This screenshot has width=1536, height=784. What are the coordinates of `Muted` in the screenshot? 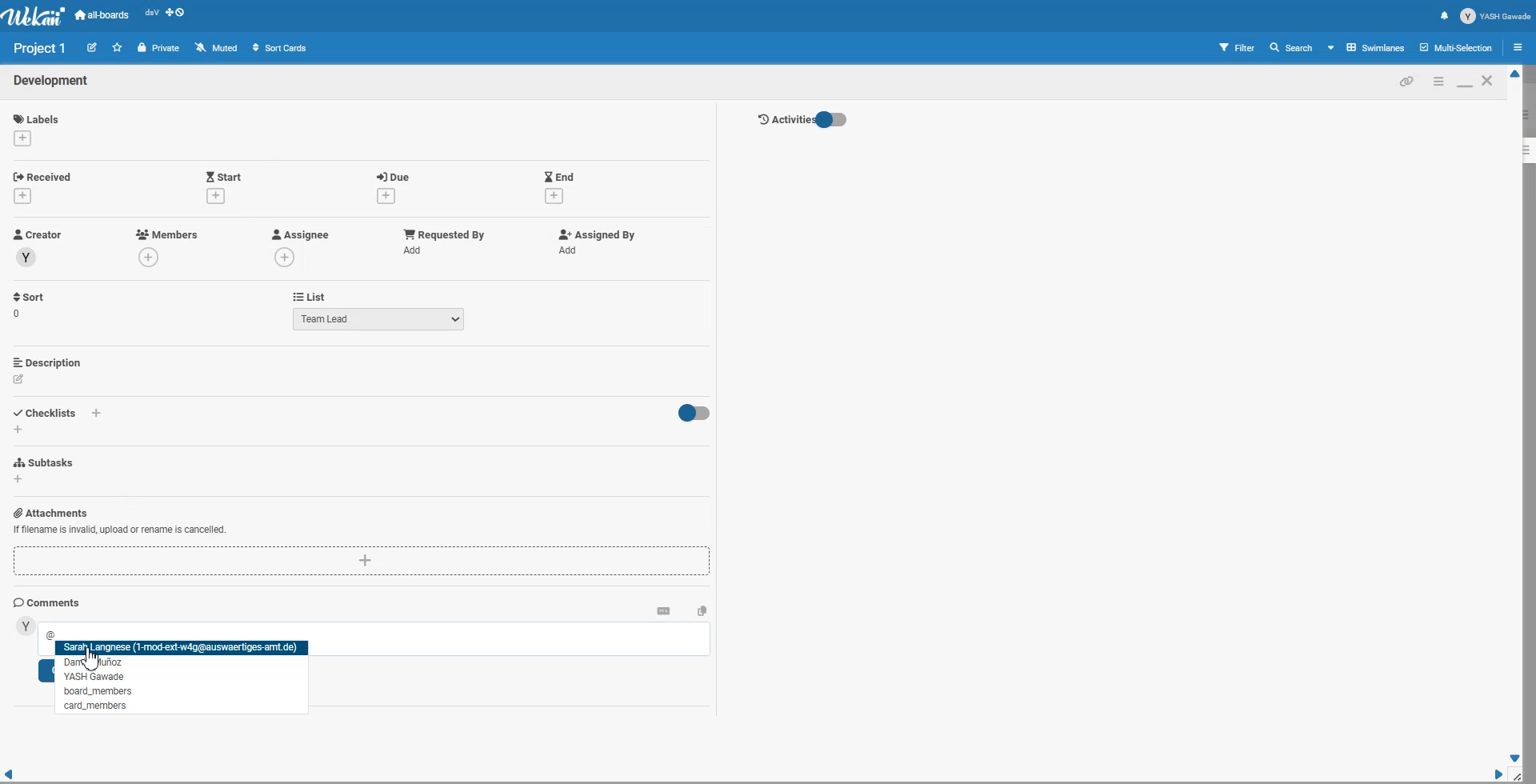 It's located at (218, 47).